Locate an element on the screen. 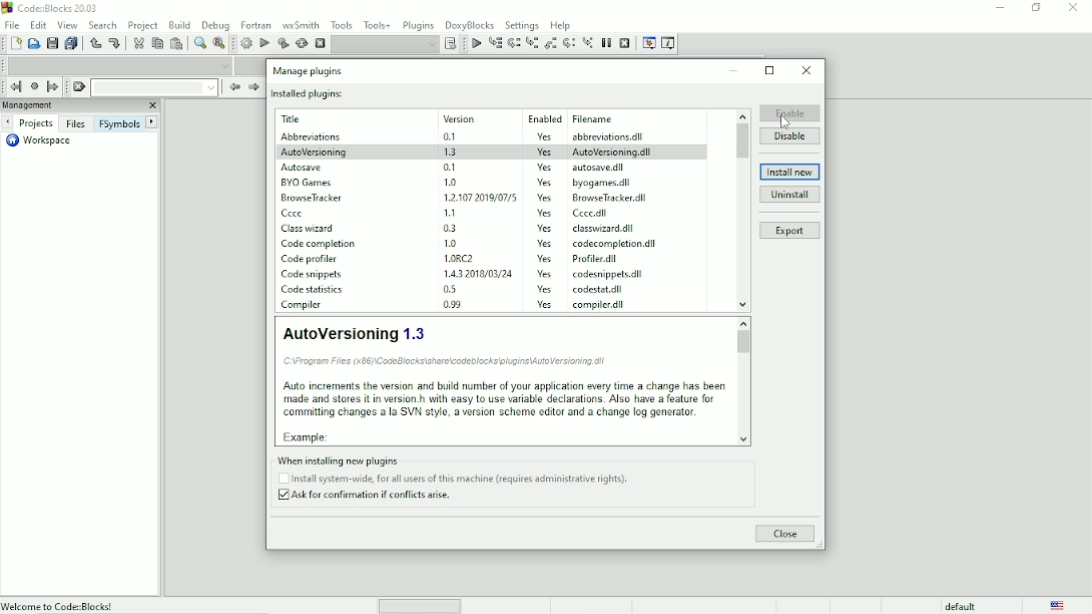 This screenshot has width=1092, height=614. Abort is located at coordinates (319, 43).